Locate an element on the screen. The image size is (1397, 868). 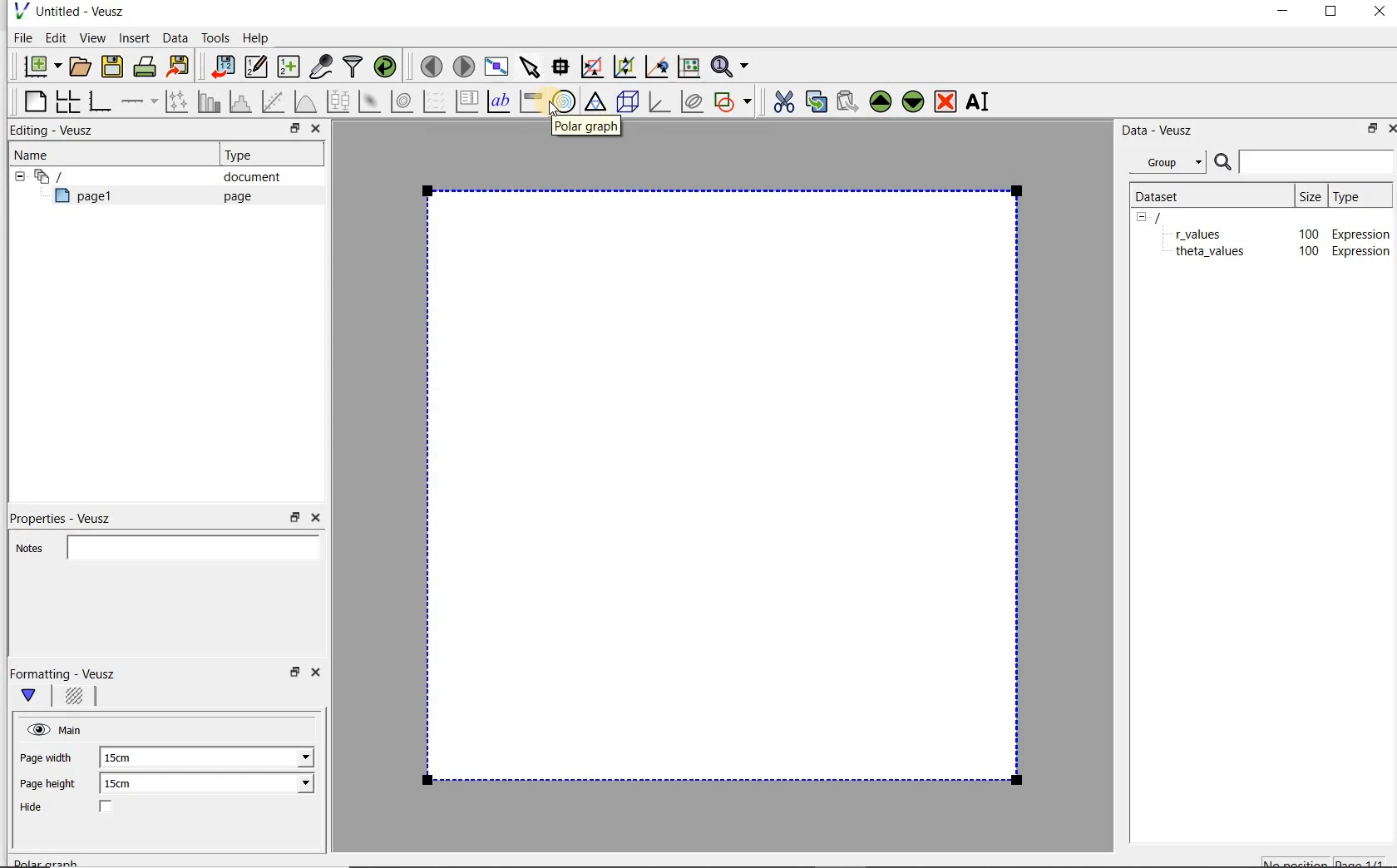
plot key is located at coordinates (468, 101).